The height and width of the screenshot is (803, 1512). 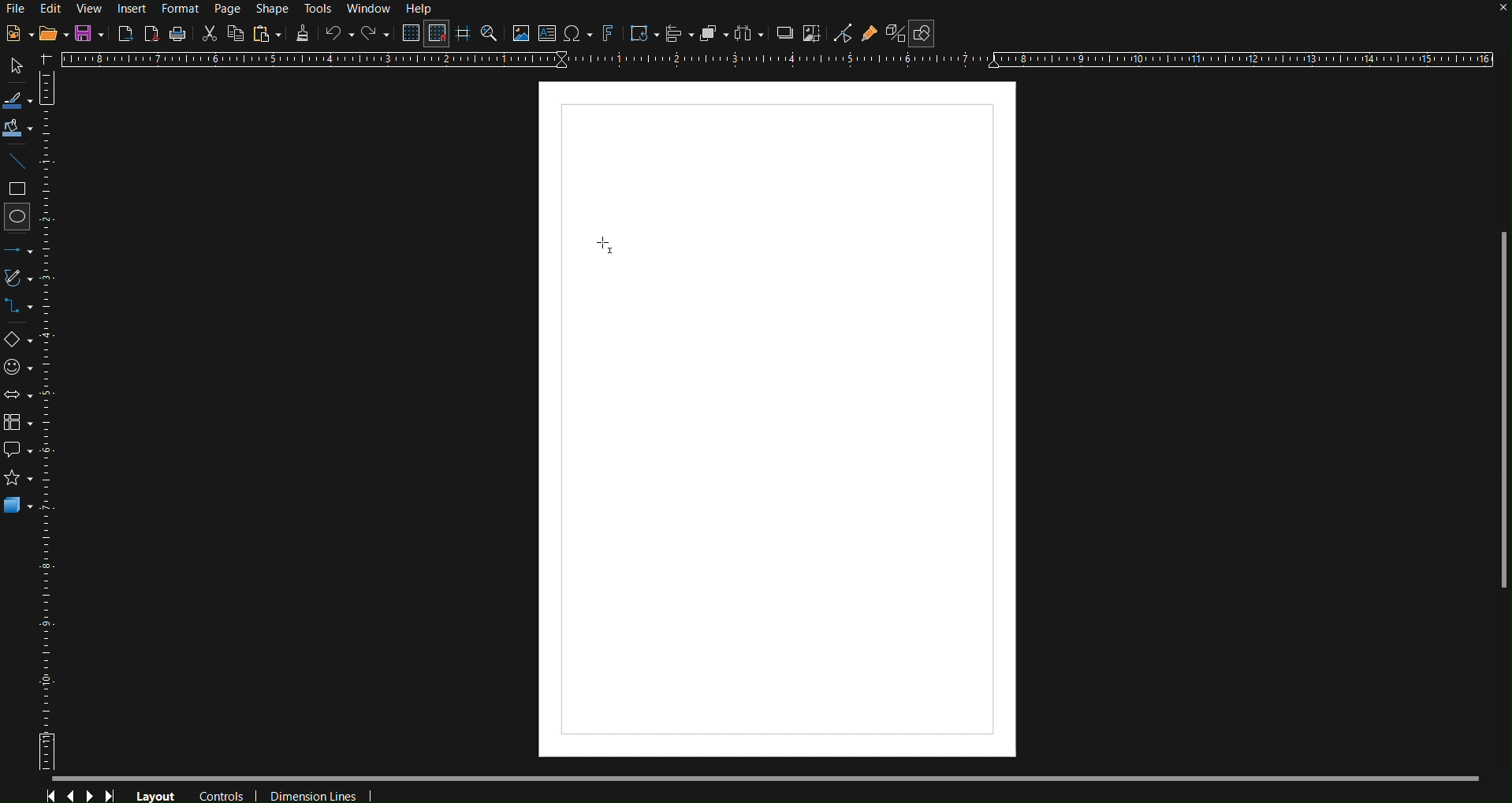 I want to click on Align Objects, so click(x=679, y=35).